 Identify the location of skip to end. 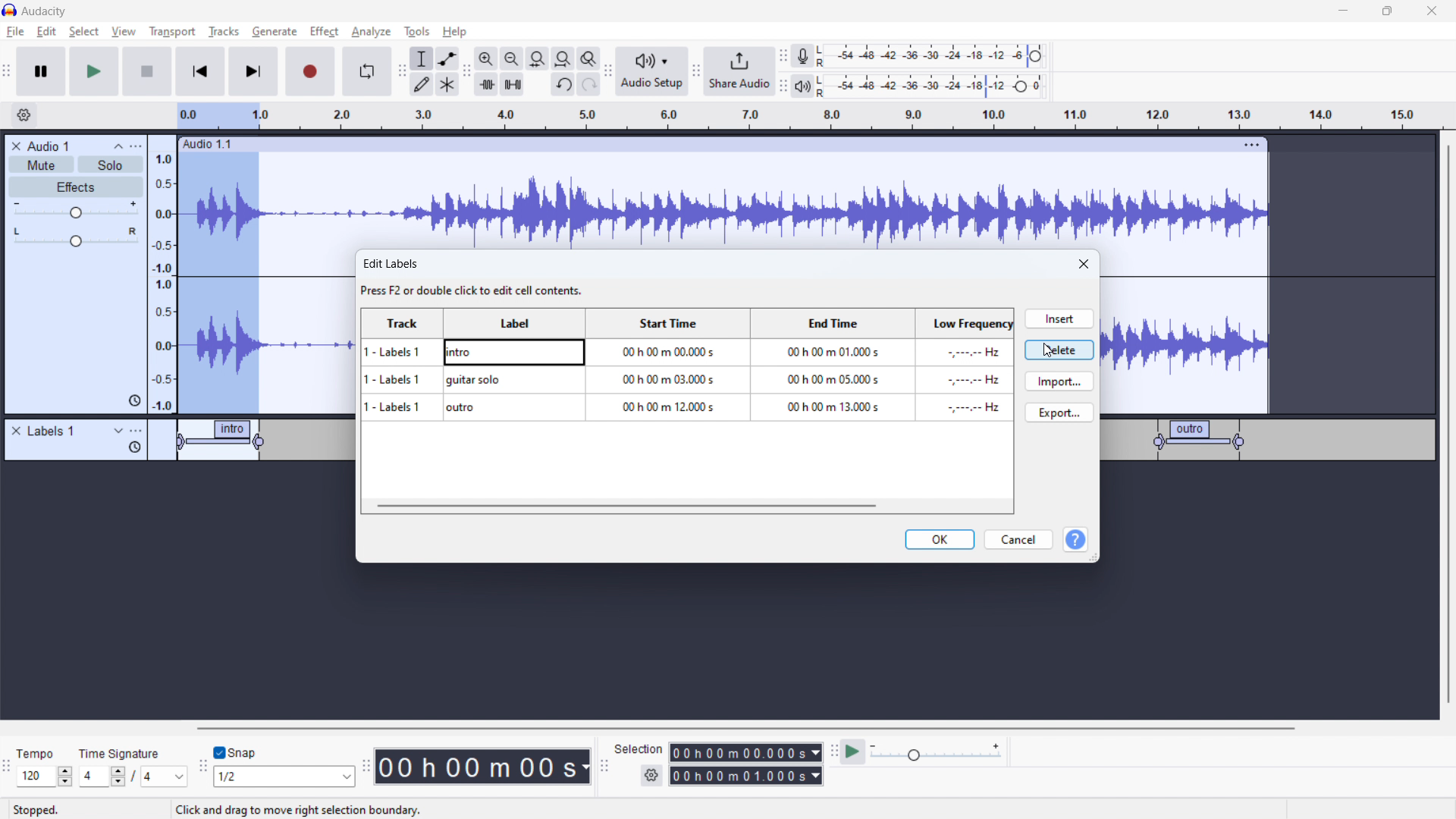
(258, 71).